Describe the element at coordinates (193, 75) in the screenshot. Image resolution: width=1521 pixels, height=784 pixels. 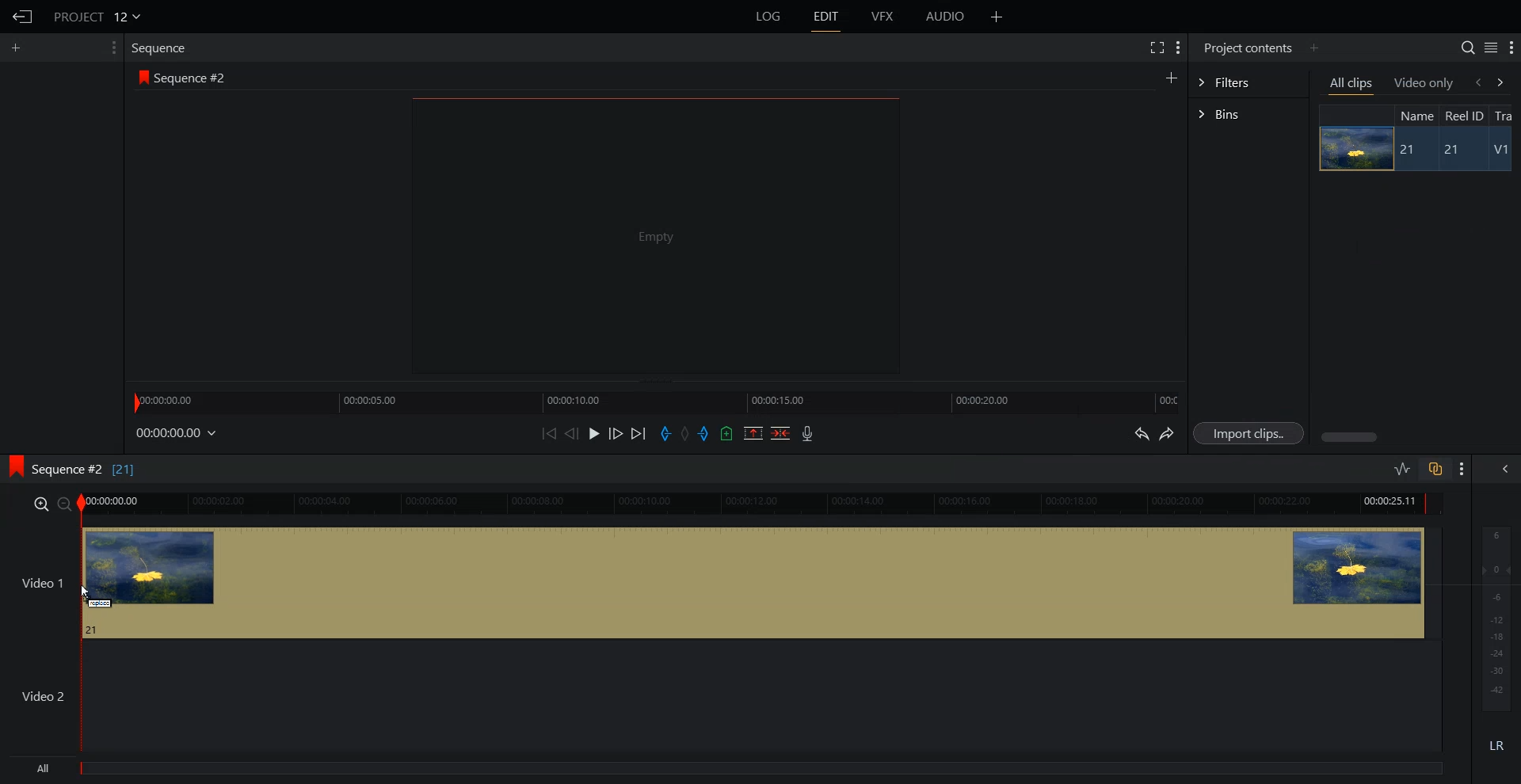
I see `Sequence #2` at that location.